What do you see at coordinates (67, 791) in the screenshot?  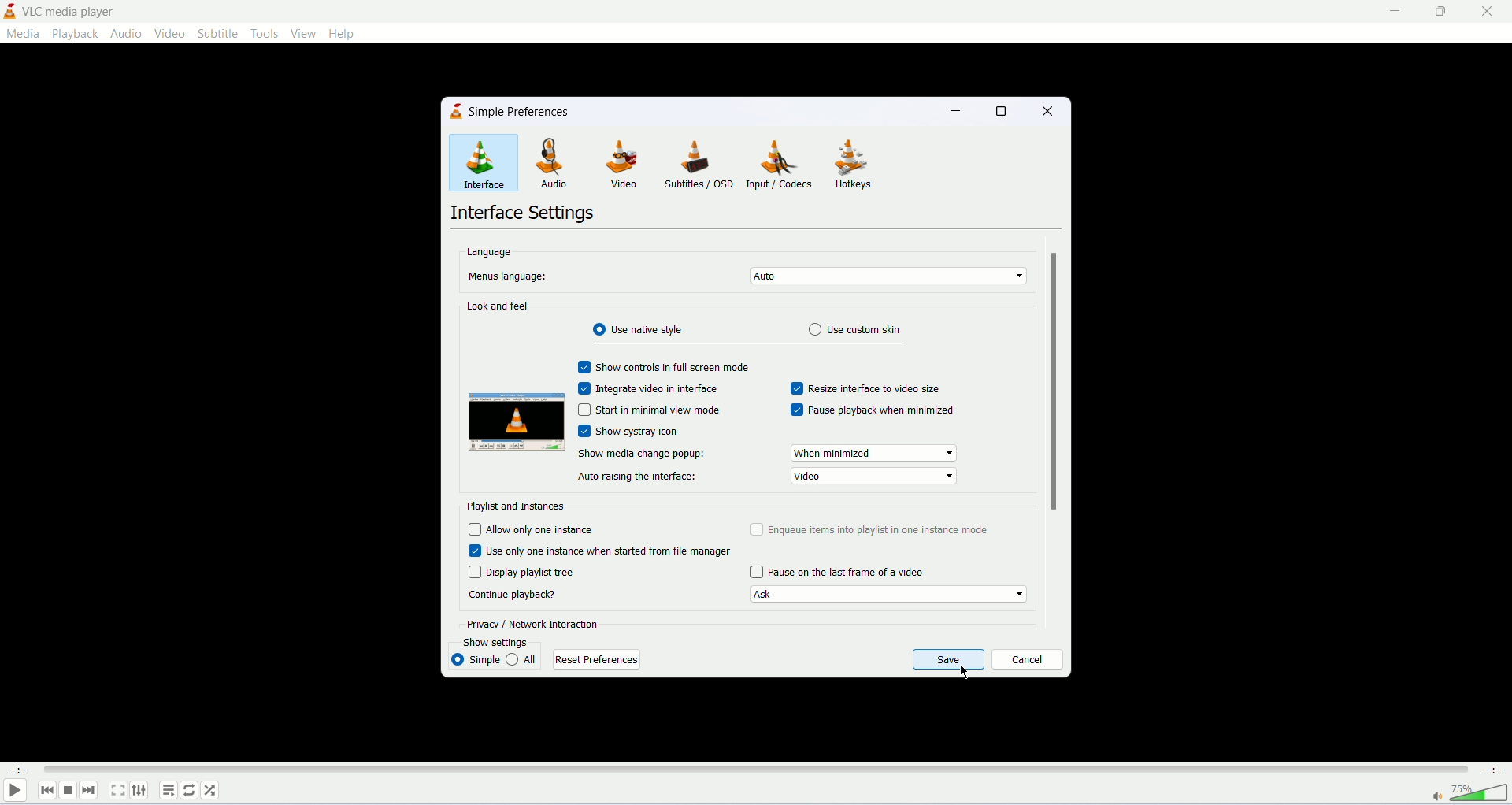 I see `stop` at bounding box center [67, 791].